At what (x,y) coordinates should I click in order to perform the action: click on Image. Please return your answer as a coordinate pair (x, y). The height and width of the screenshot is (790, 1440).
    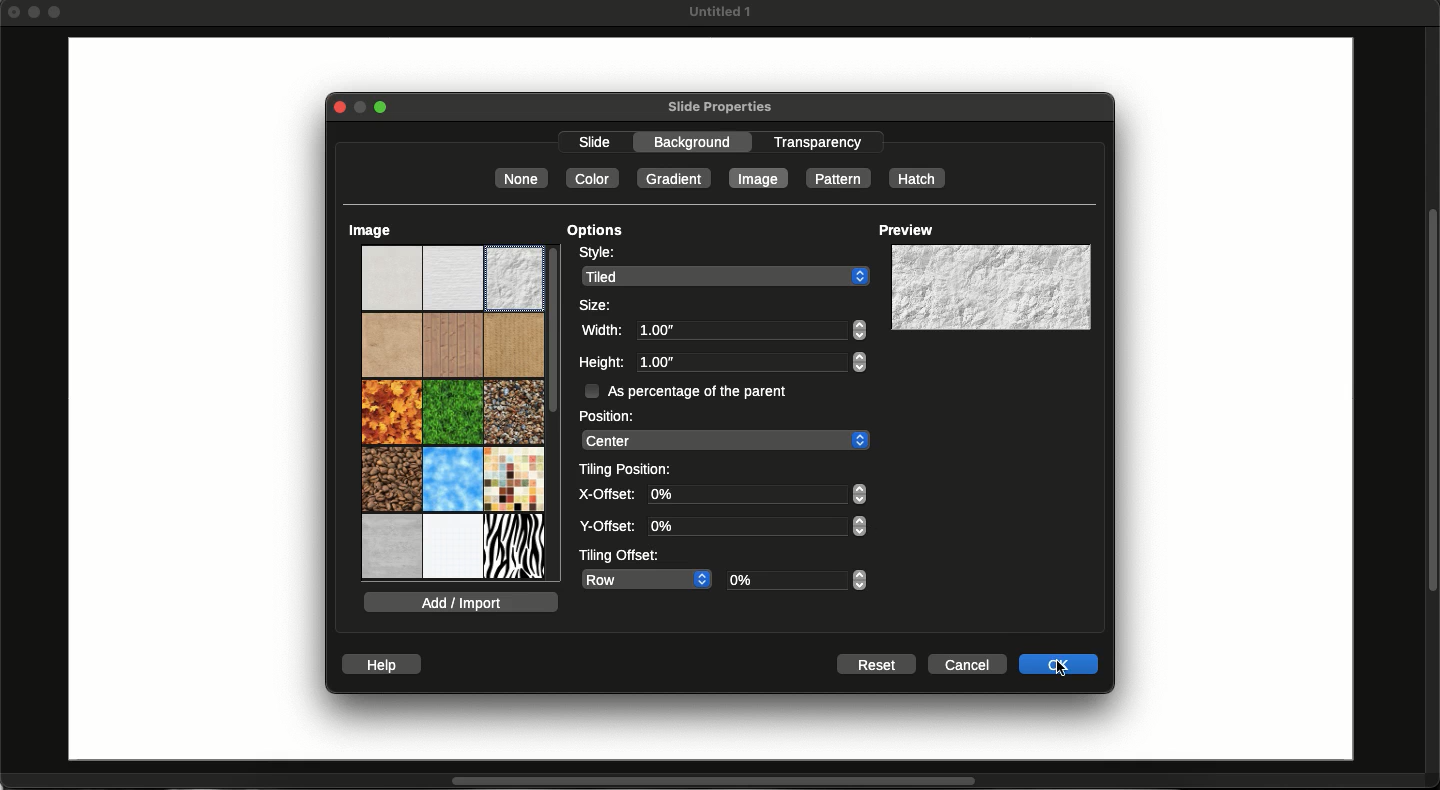
    Looking at the image, I should click on (370, 230).